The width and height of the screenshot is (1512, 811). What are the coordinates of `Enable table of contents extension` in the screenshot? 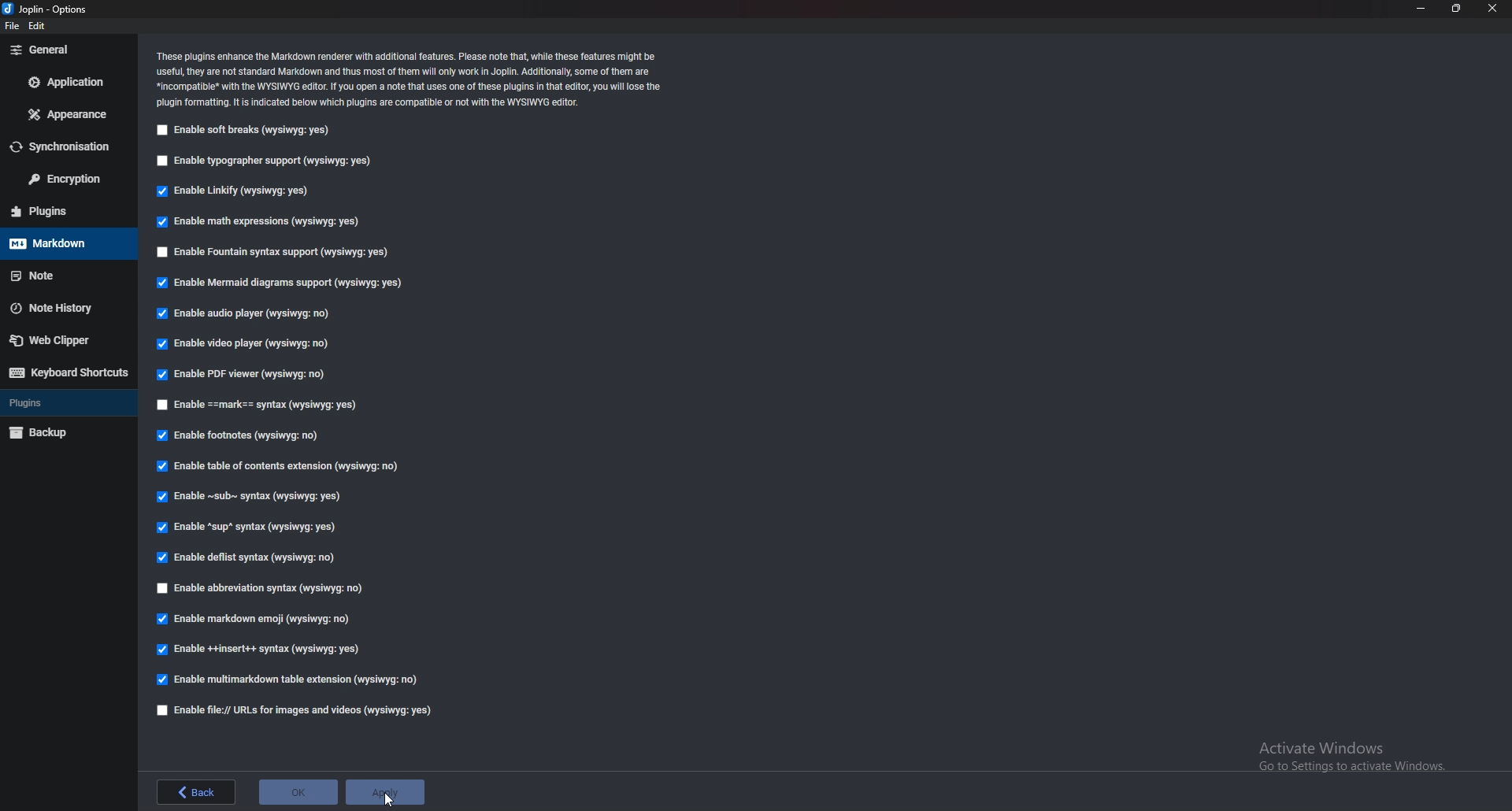 It's located at (276, 464).